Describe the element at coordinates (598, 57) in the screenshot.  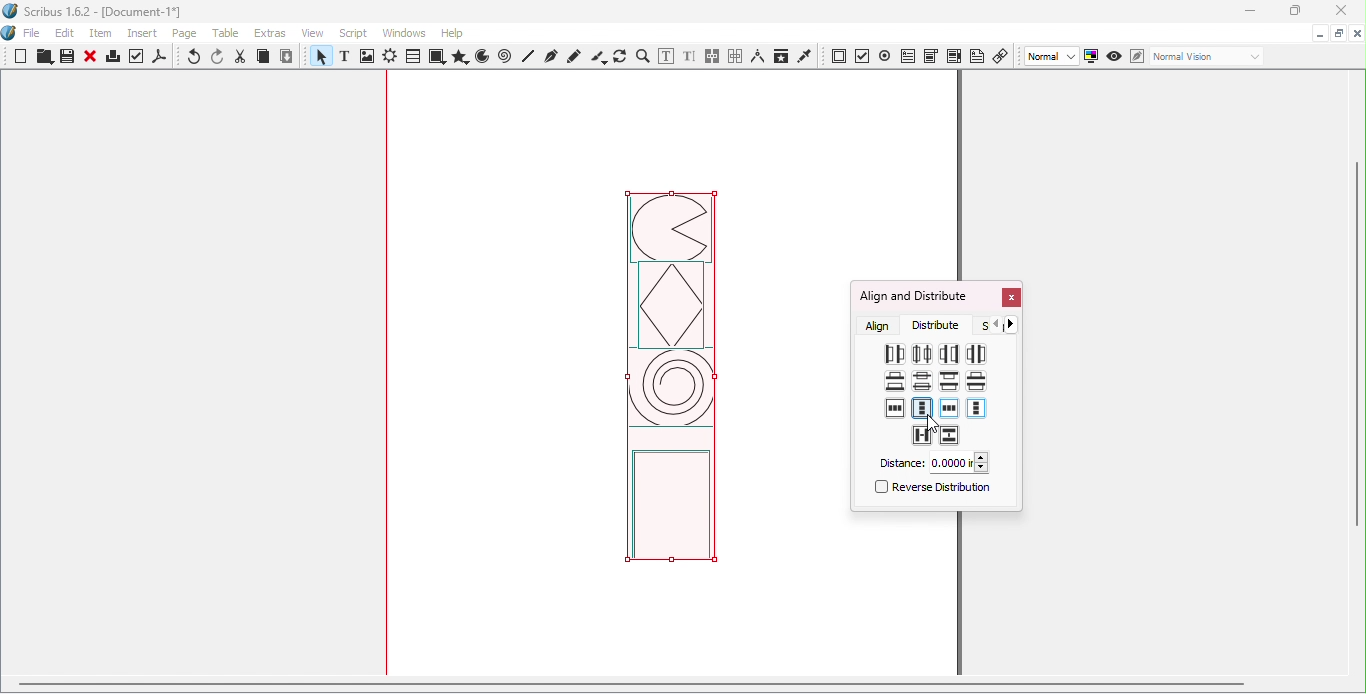
I see `Calligraphic line` at that location.